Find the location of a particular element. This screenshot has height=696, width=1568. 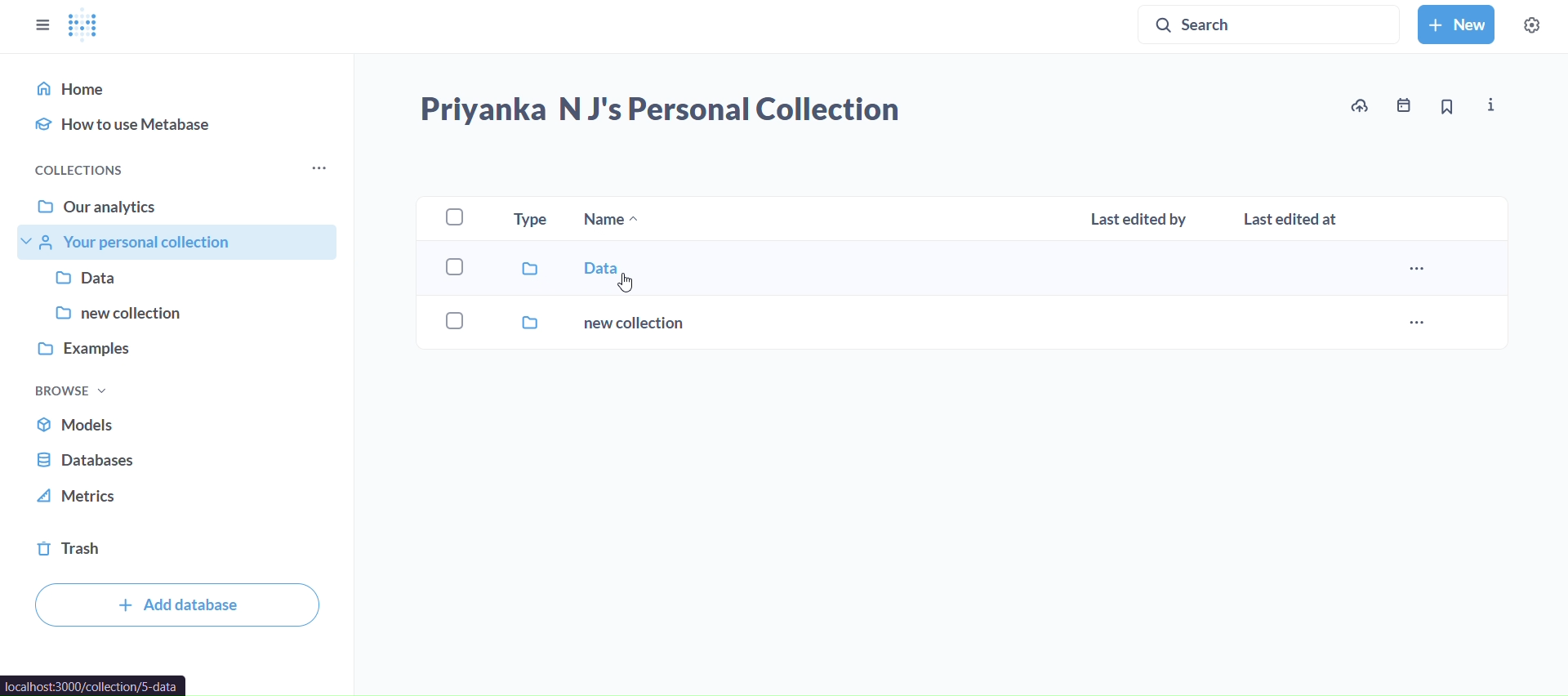

how to use metabase is located at coordinates (179, 122).